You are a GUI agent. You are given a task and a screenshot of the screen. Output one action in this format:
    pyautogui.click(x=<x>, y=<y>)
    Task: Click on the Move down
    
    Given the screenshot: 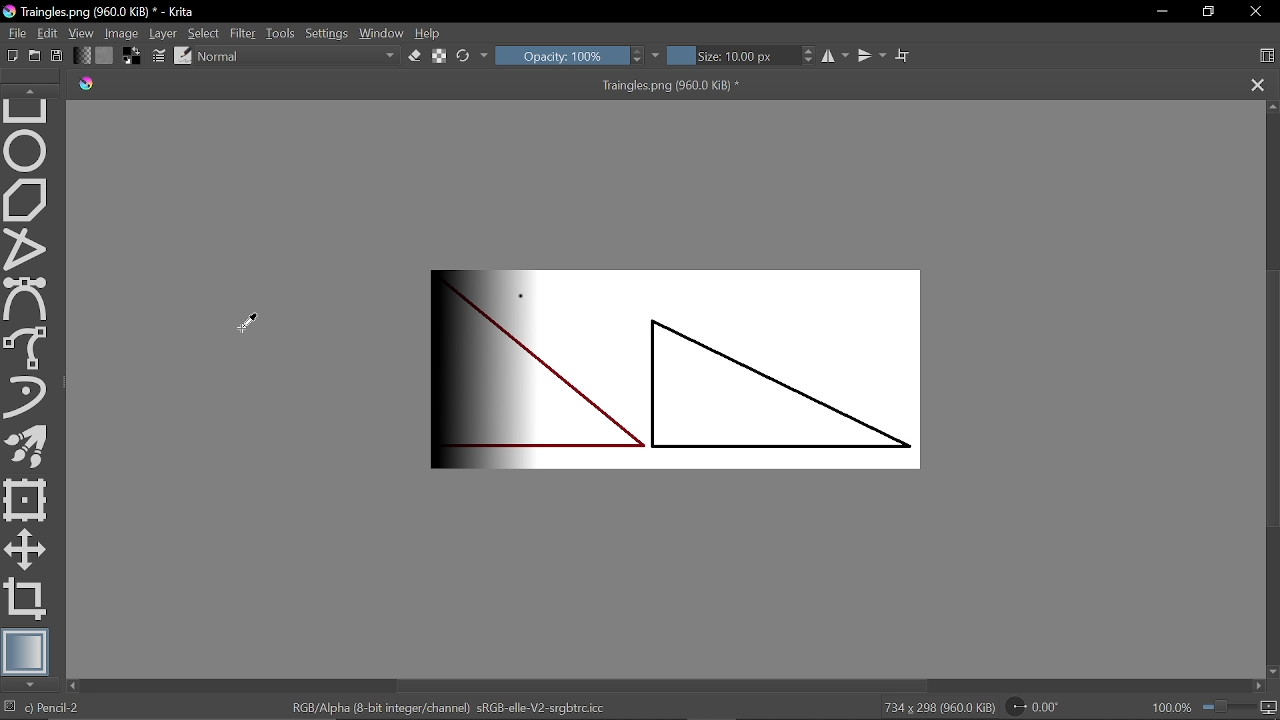 What is the action you would take?
    pyautogui.click(x=1271, y=669)
    